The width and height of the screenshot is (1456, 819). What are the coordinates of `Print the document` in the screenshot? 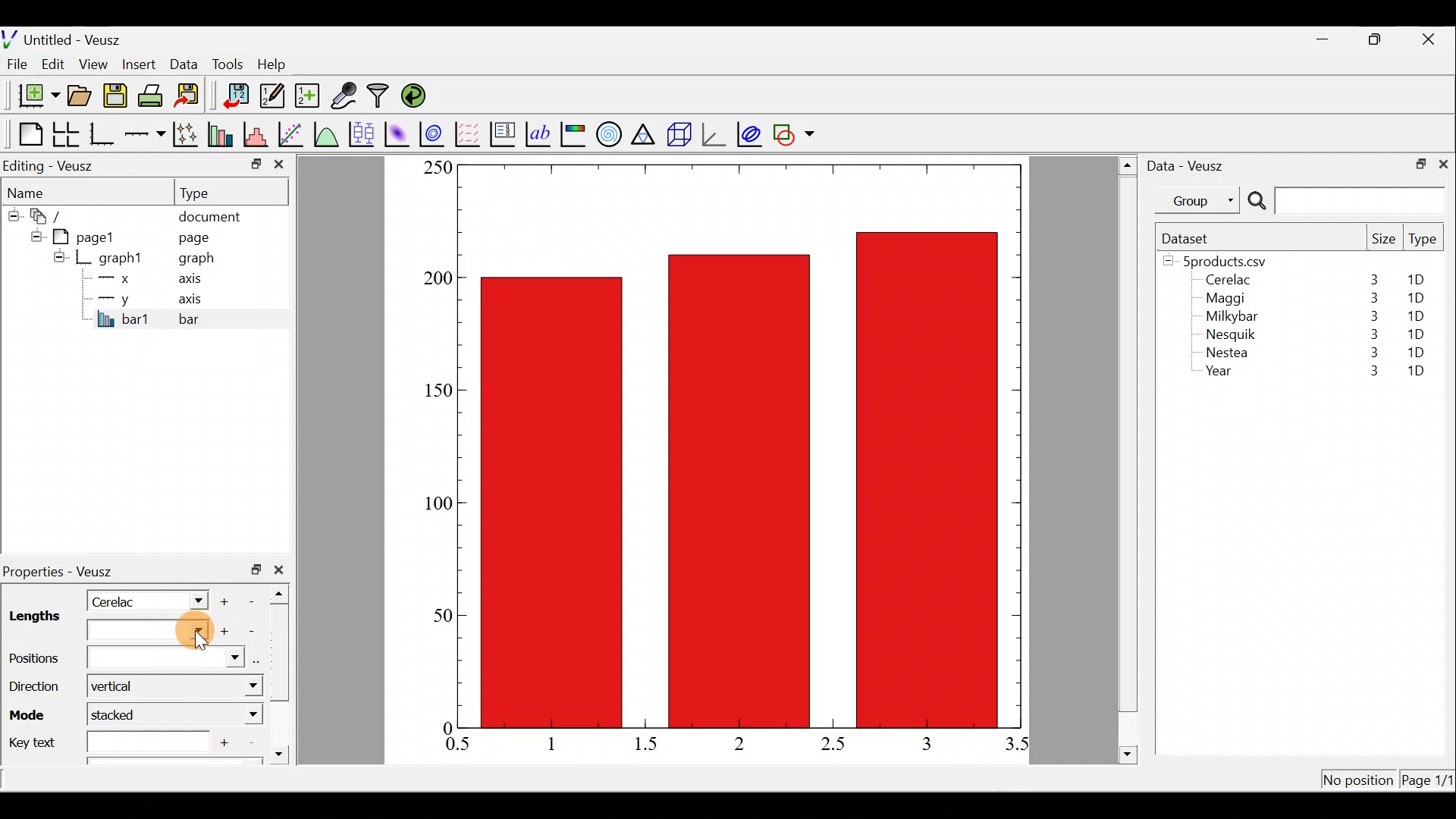 It's located at (155, 95).